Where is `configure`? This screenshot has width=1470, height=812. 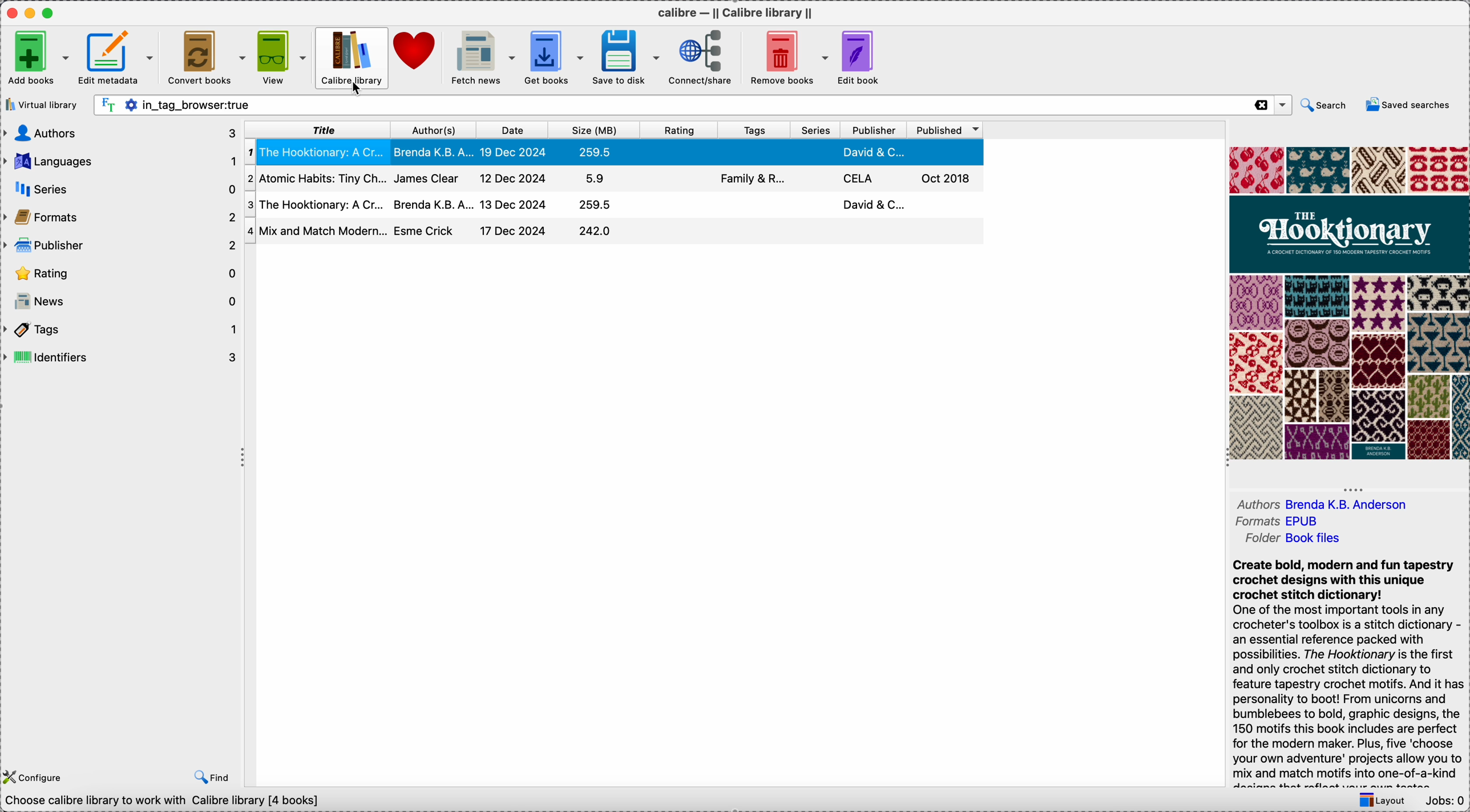
configure is located at coordinates (34, 777).